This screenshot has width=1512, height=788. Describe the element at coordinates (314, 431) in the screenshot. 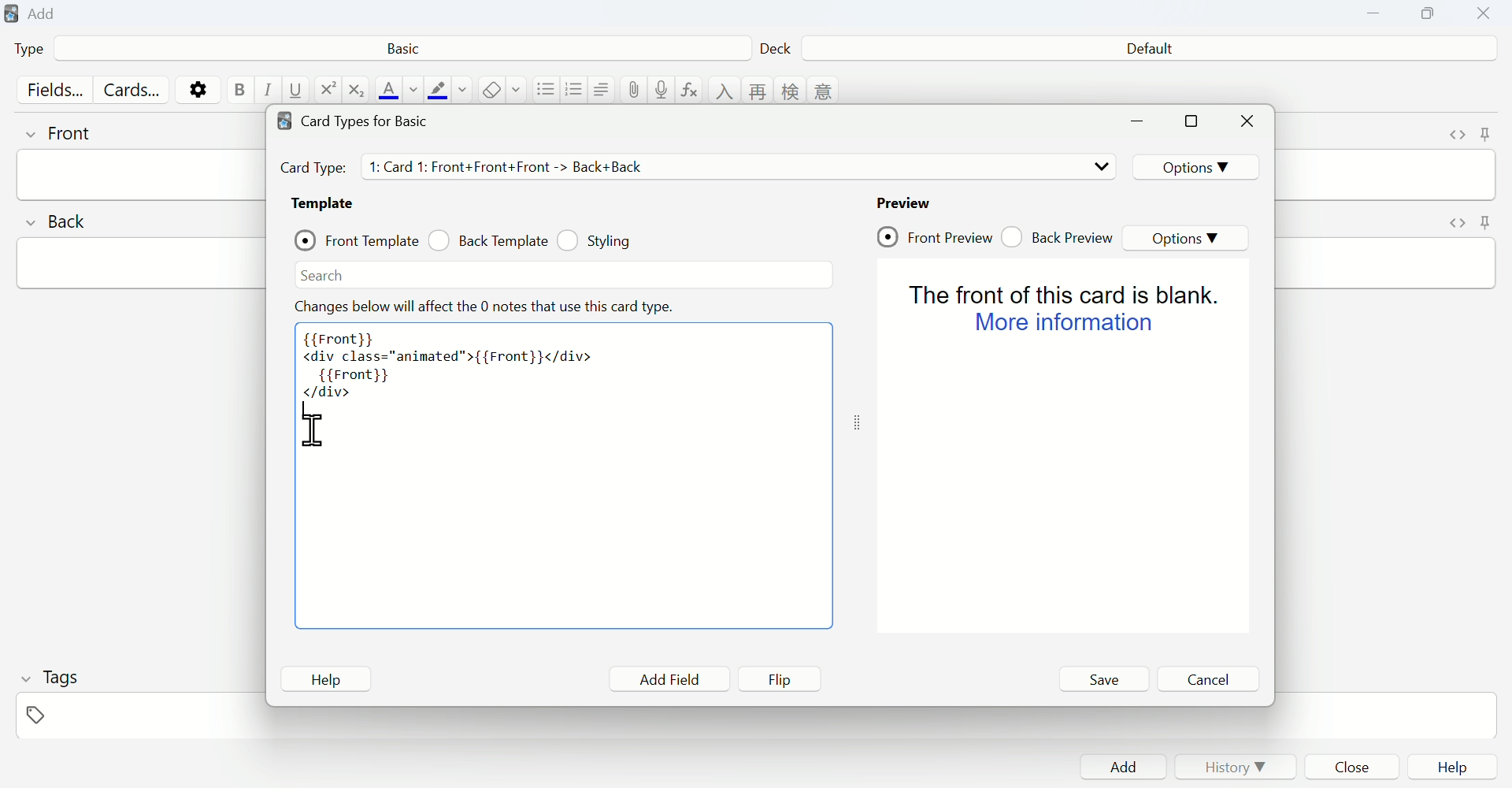

I see `cursor` at that location.